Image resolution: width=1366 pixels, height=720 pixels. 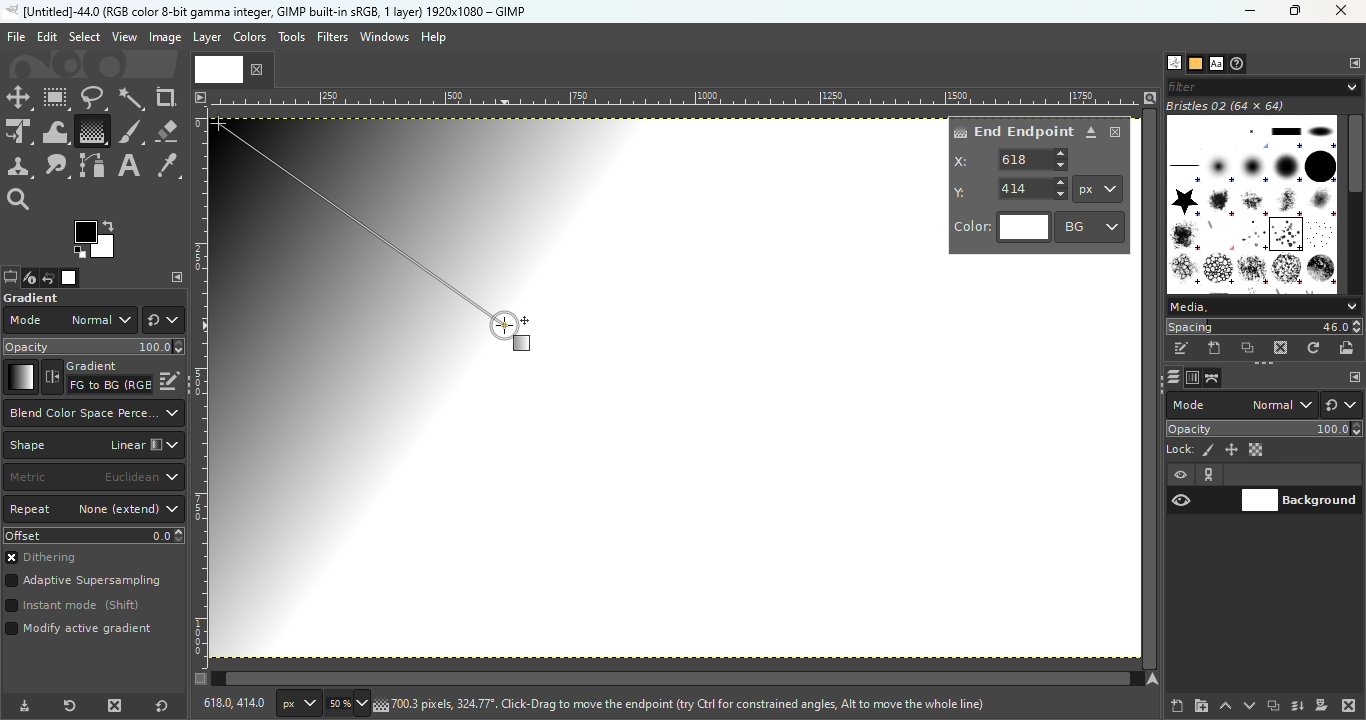 What do you see at coordinates (1116, 132) in the screenshot?
I see `Close` at bounding box center [1116, 132].